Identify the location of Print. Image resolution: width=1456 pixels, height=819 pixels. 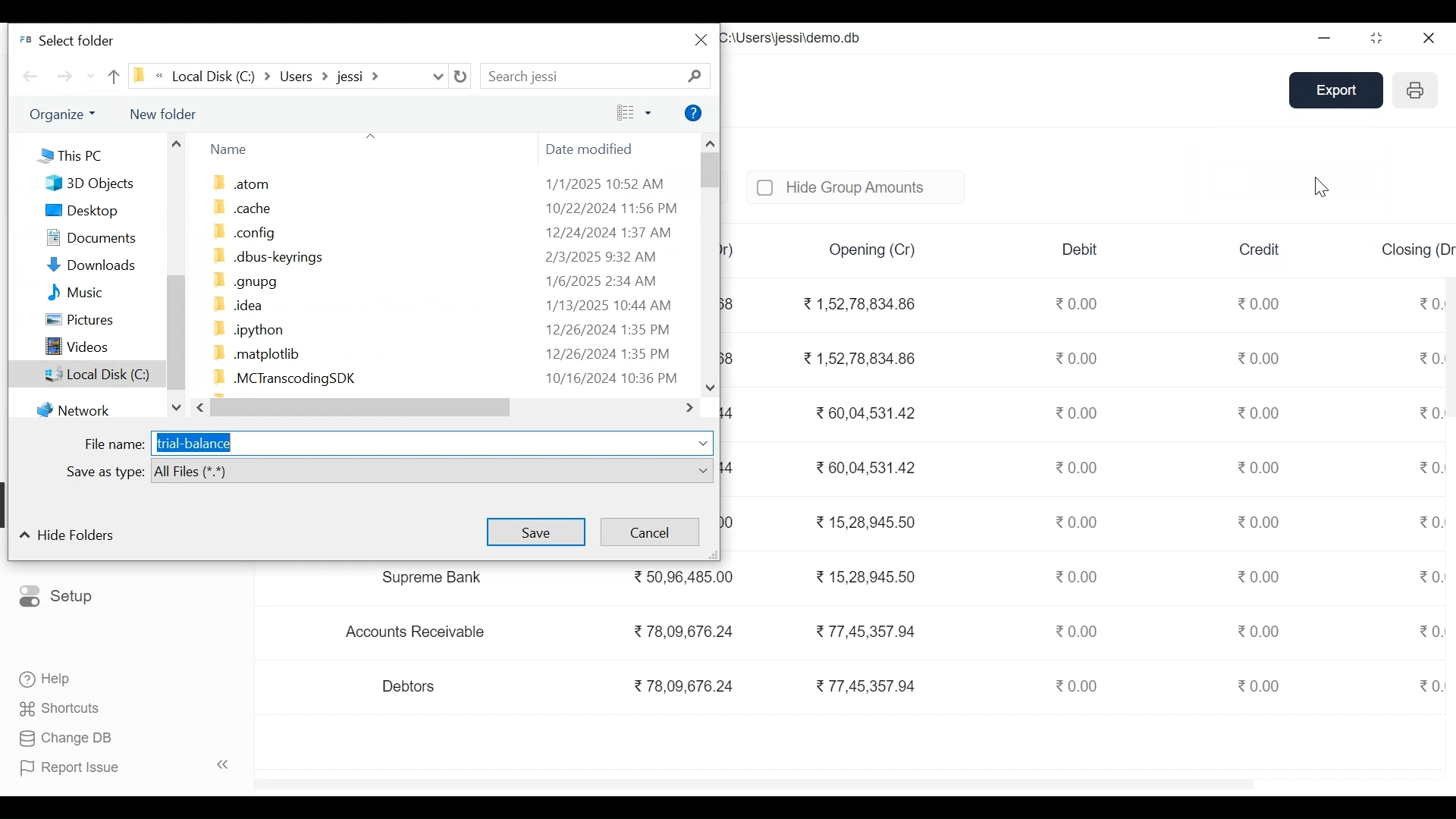
(1415, 91).